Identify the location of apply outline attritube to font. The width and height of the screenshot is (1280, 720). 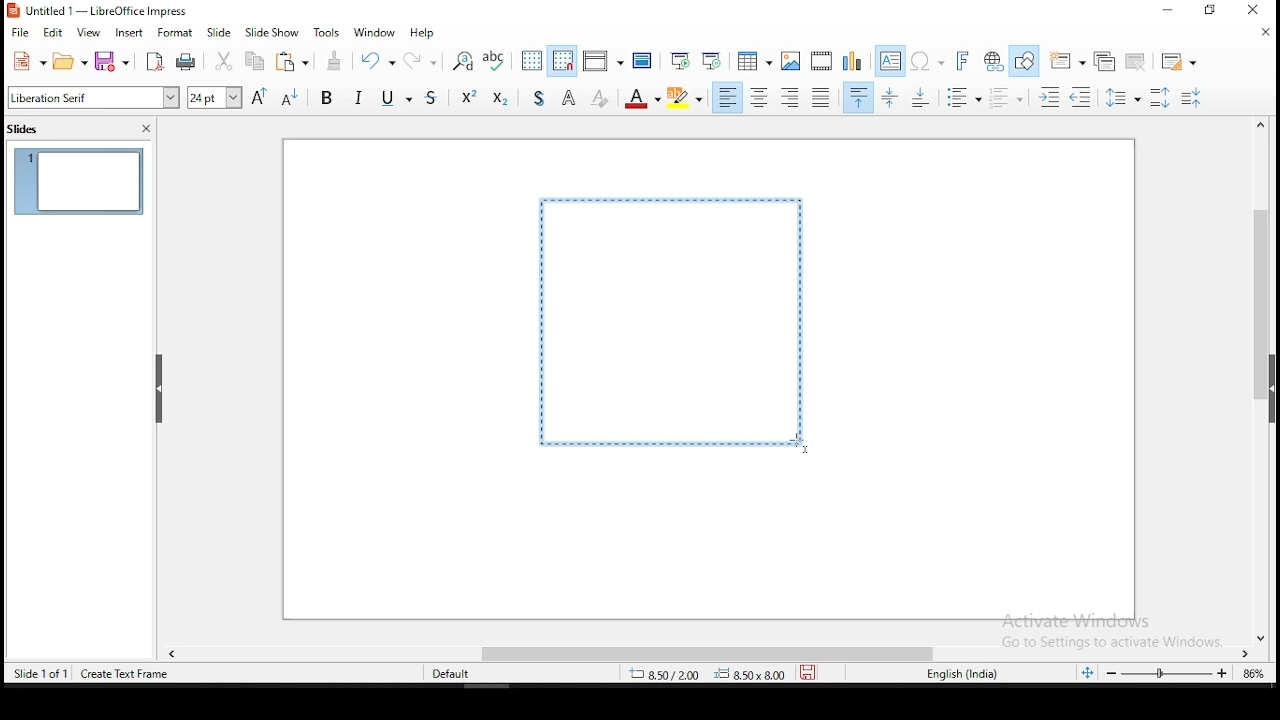
(566, 98).